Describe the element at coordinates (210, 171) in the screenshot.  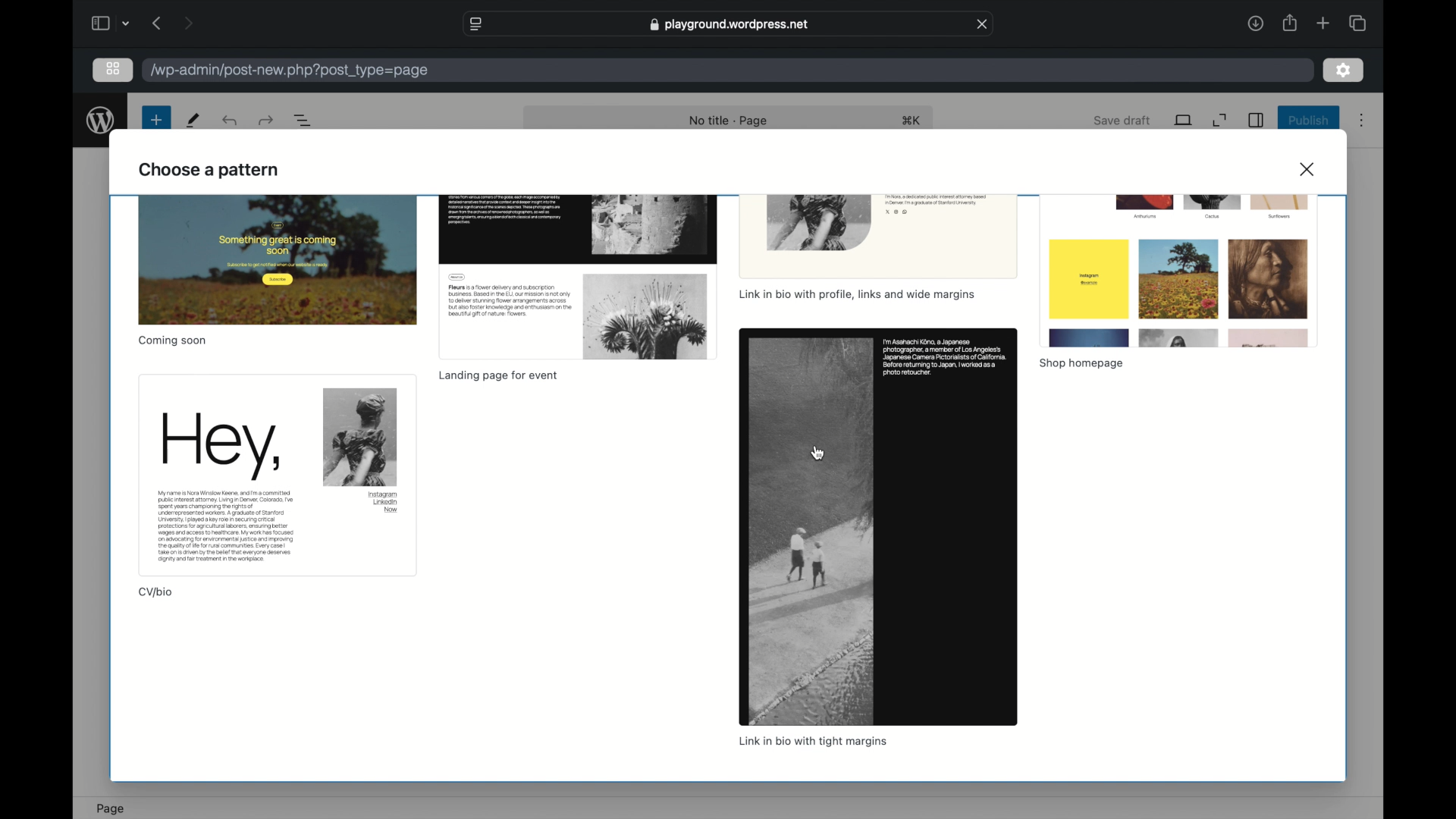
I see `choose a pattern` at that location.